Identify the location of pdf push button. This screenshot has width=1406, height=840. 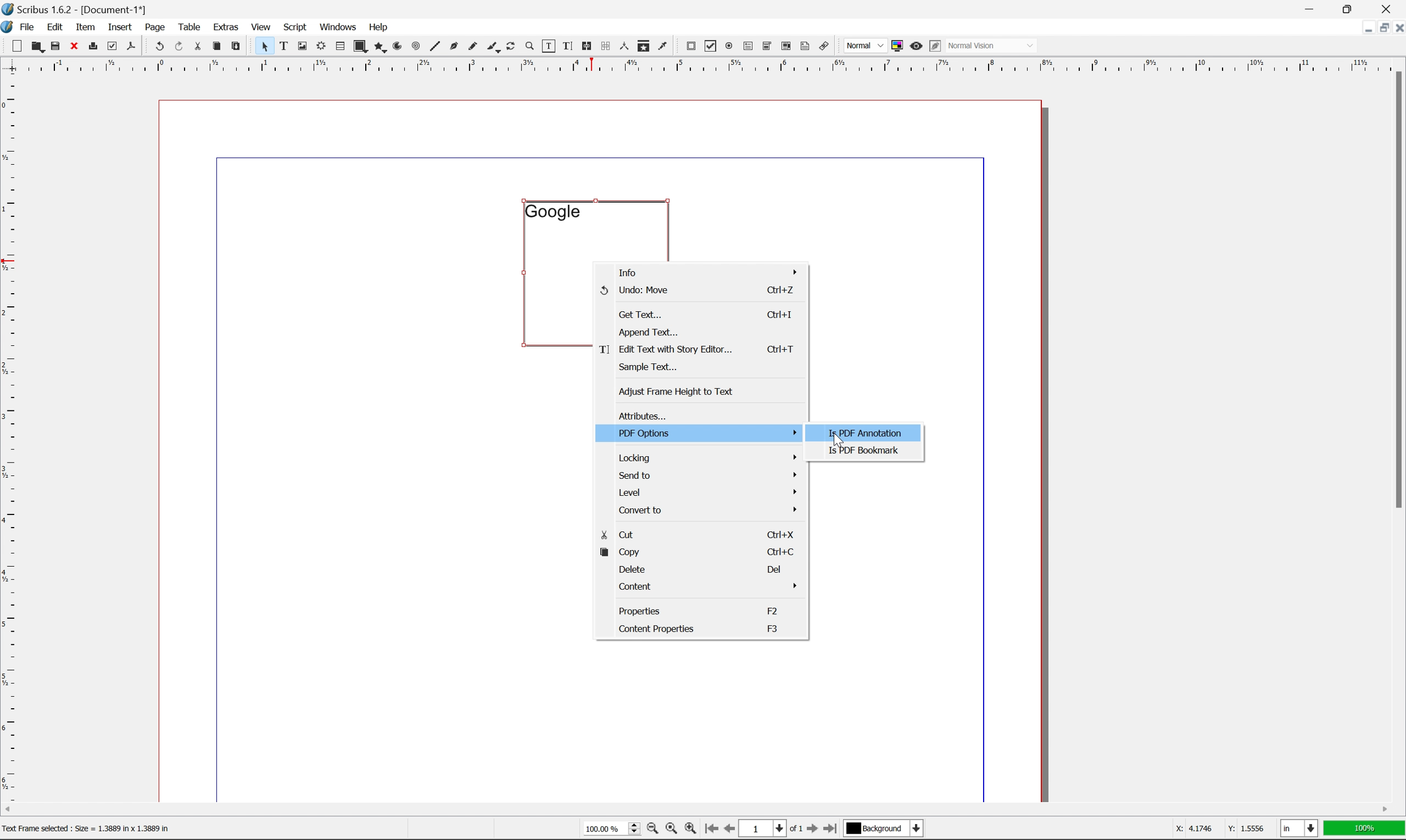
(687, 45).